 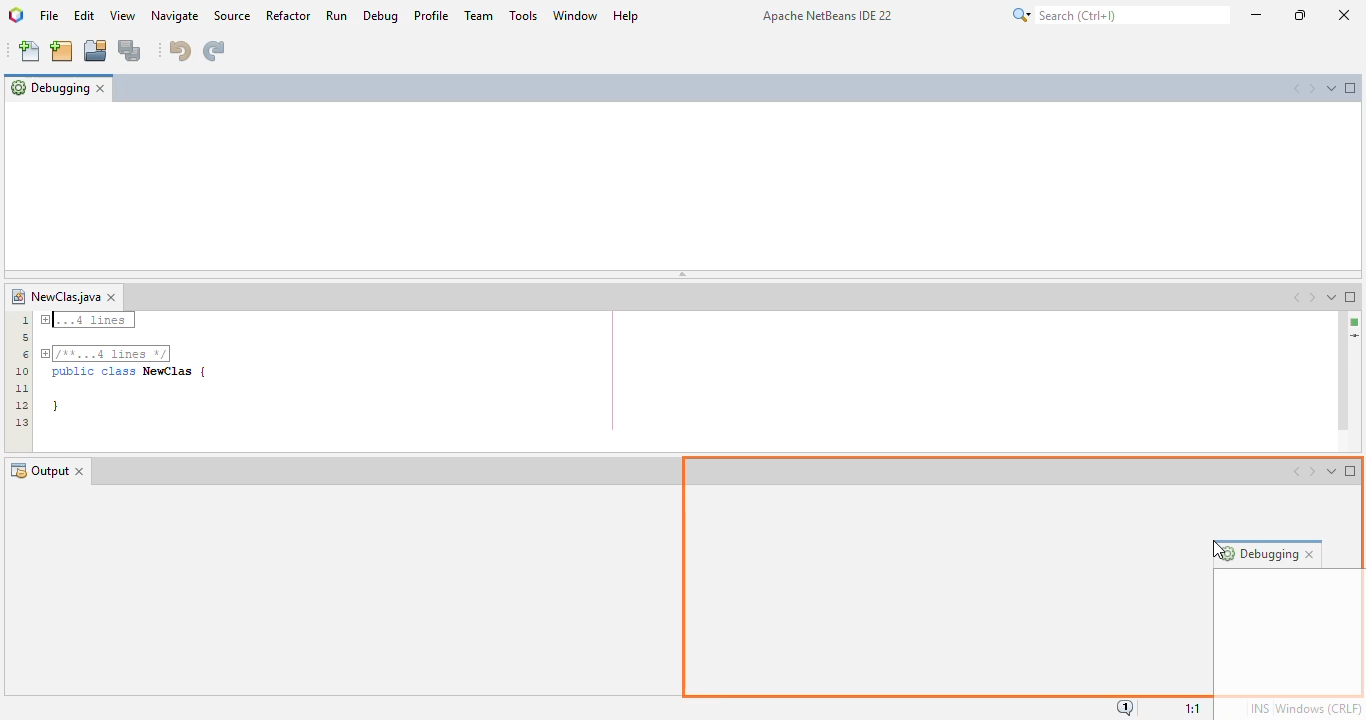 What do you see at coordinates (1353, 337) in the screenshot?
I see `current line` at bounding box center [1353, 337].